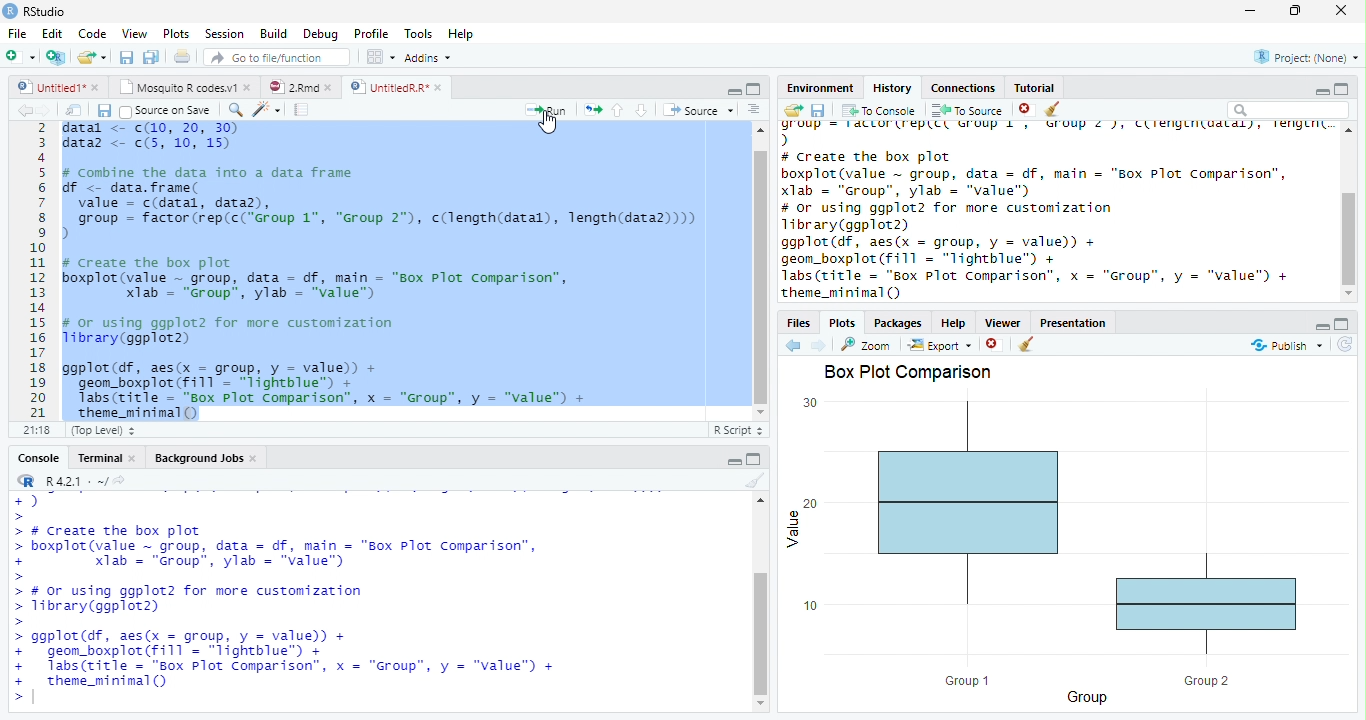 The height and width of the screenshot is (720, 1366). Describe the element at coordinates (44, 111) in the screenshot. I see `Go forward to next source location` at that location.